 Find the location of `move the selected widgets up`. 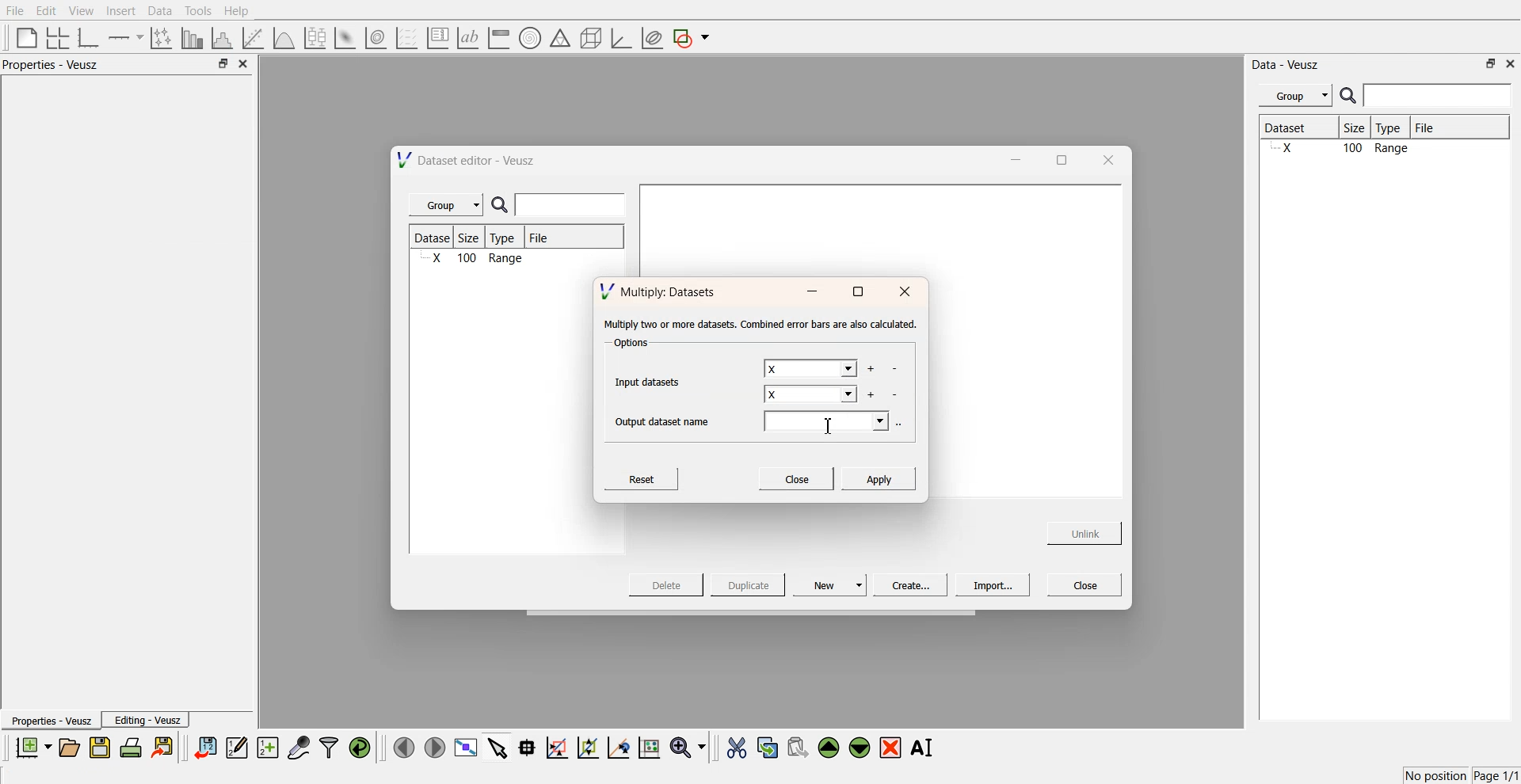

move the selected widgets up is located at coordinates (830, 748).